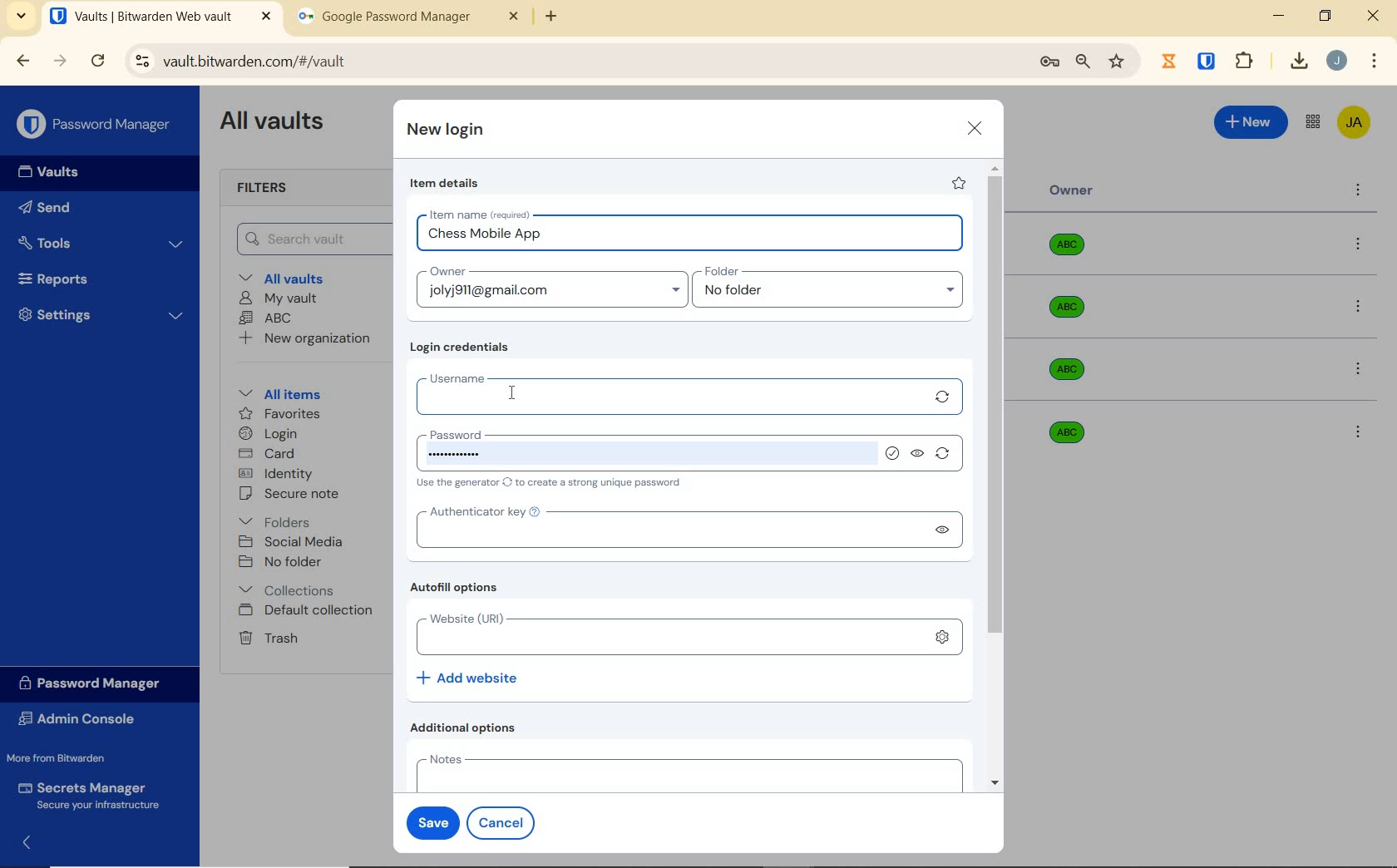 This screenshot has width=1397, height=868. Describe the element at coordinates (685, 772) in the screenshot. I see `notes` at that location.